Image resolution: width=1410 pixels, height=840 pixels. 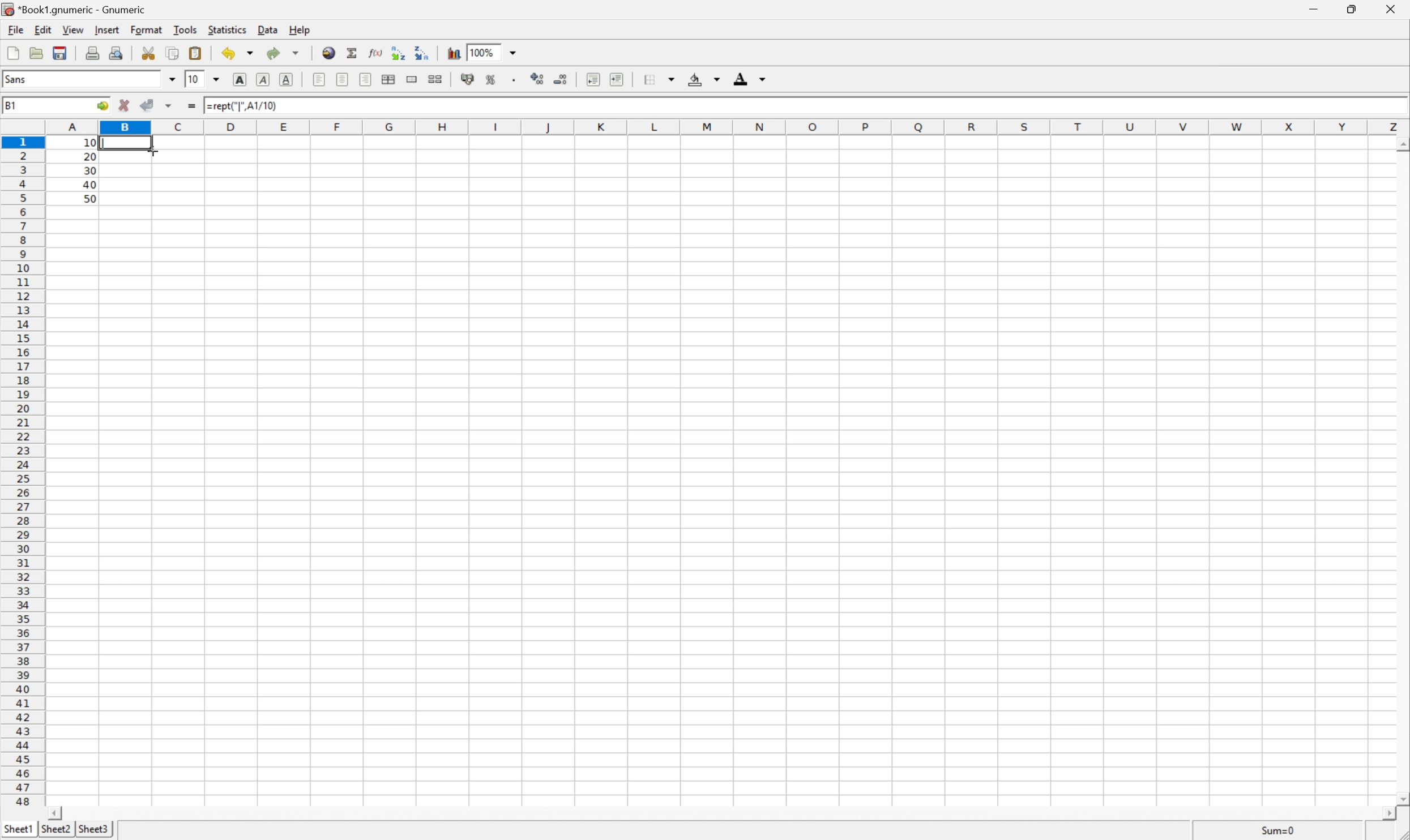 I want to click on Decrease the number of decimals displayed, so click(x=559, y=77).